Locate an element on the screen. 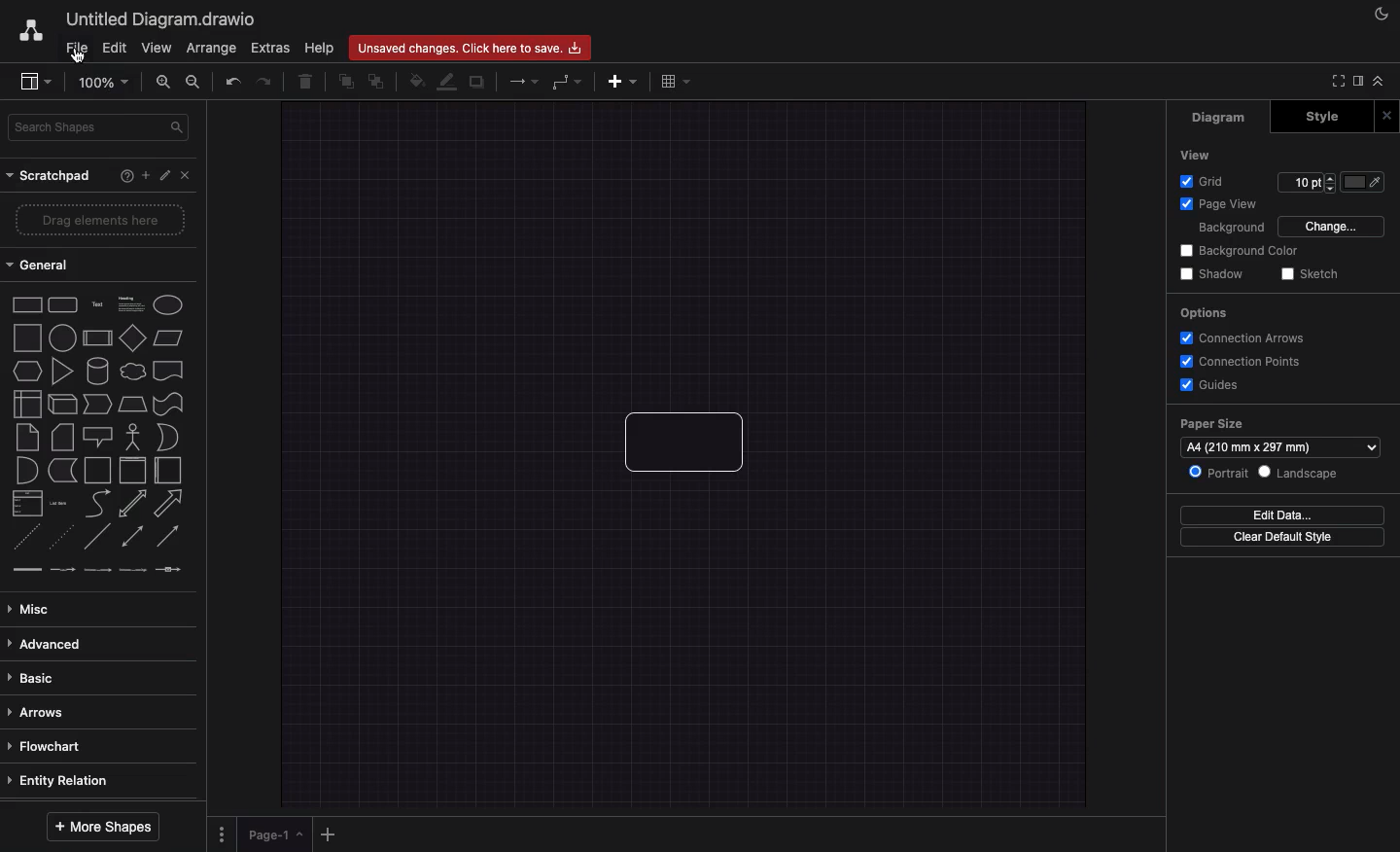 This screenshot has width=1400, height=852. Shadow is located at coordinates (477, 83).